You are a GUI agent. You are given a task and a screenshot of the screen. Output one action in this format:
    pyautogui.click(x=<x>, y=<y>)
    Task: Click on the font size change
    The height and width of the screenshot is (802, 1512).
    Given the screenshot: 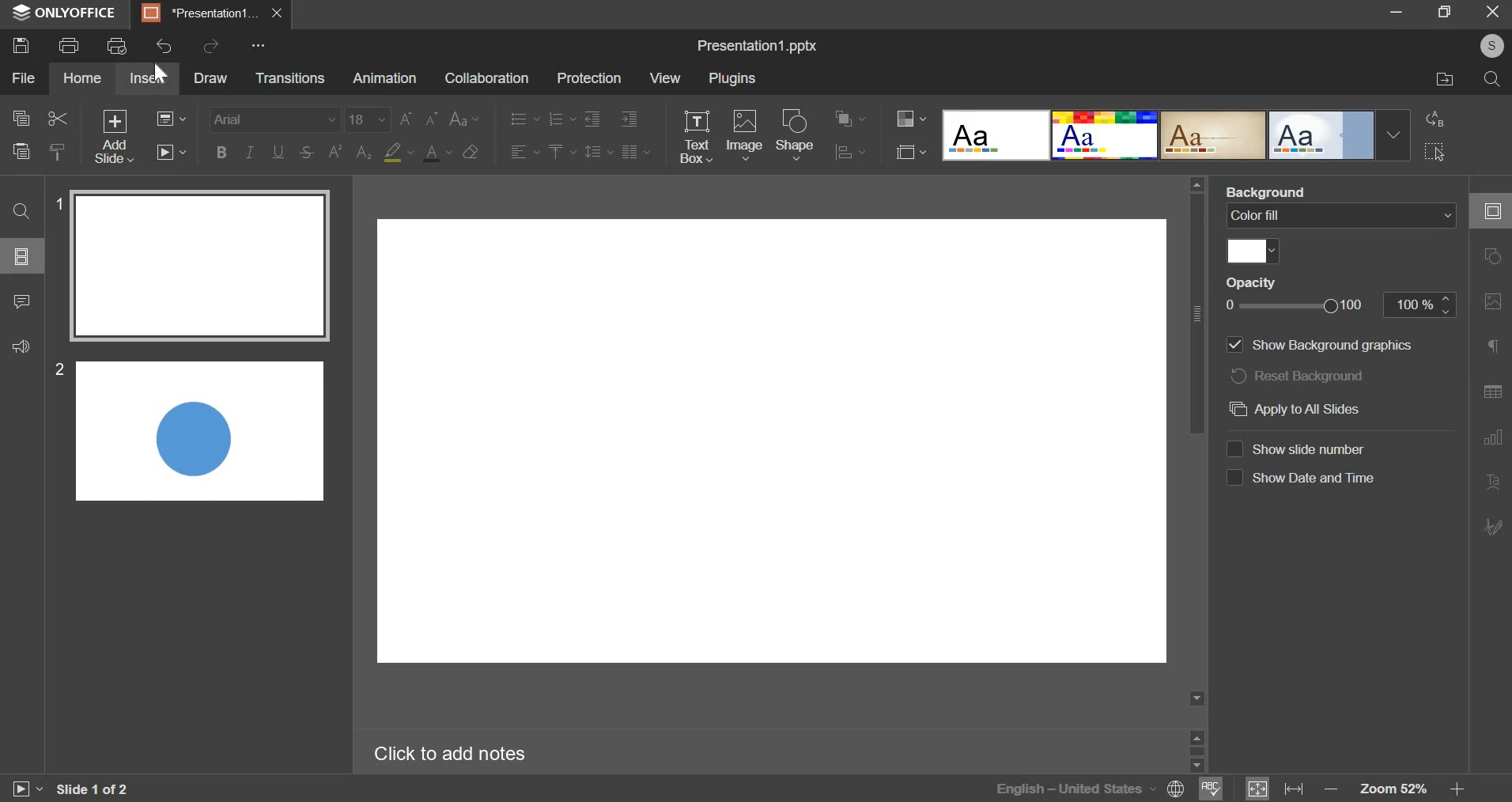 What is the action you would take?
    pyautogui.click(x=465, y=115)
    